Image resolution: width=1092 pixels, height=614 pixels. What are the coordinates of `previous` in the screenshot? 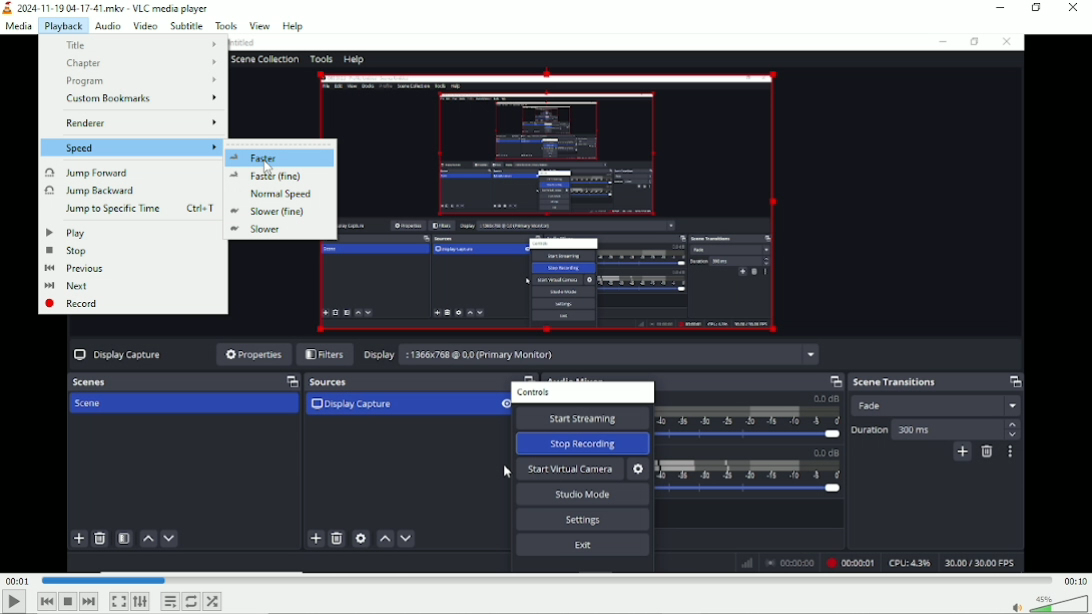 It's located at (128, 269).